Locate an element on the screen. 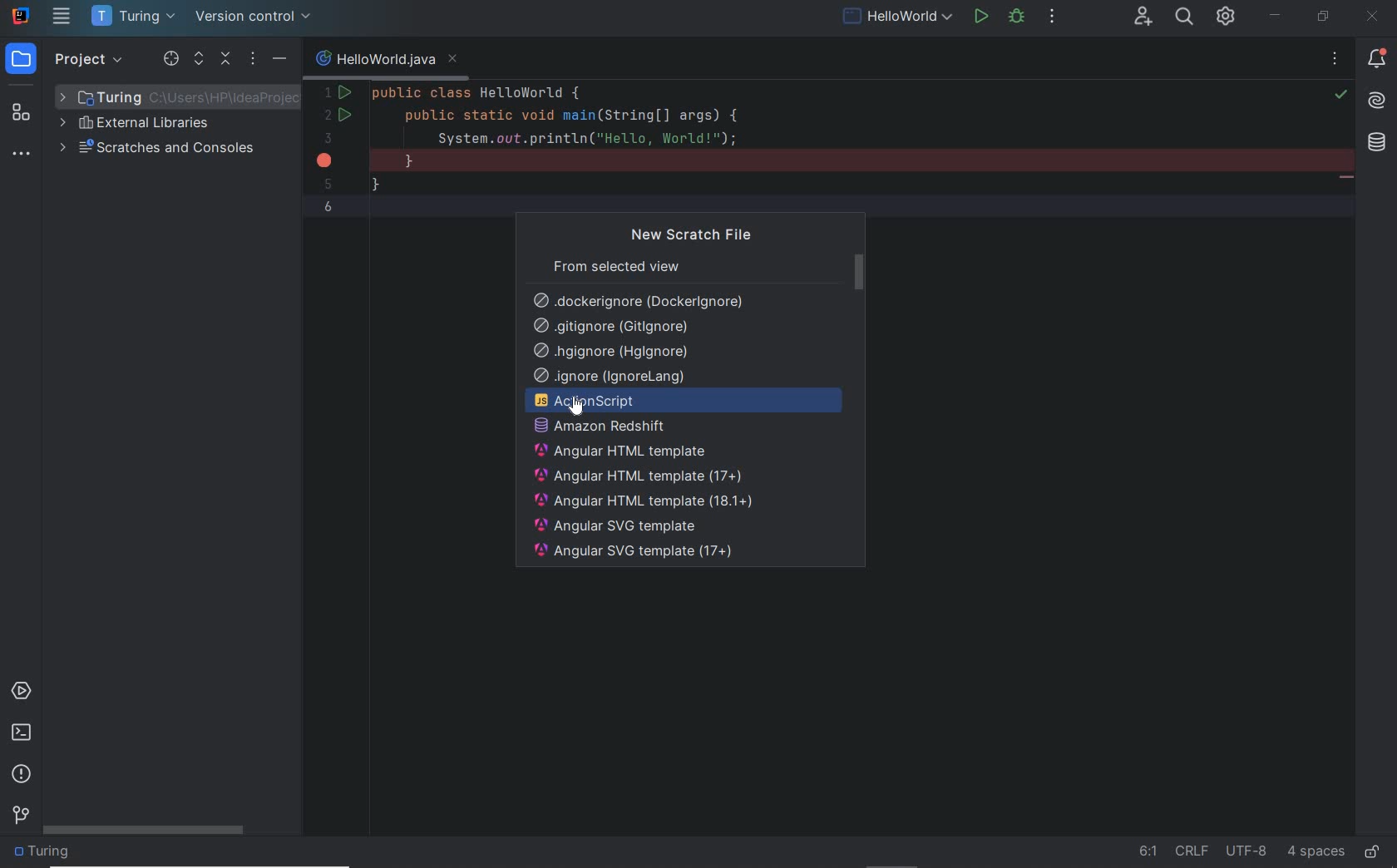  RESTORE DOWN is located at coordinates (1321, 18).